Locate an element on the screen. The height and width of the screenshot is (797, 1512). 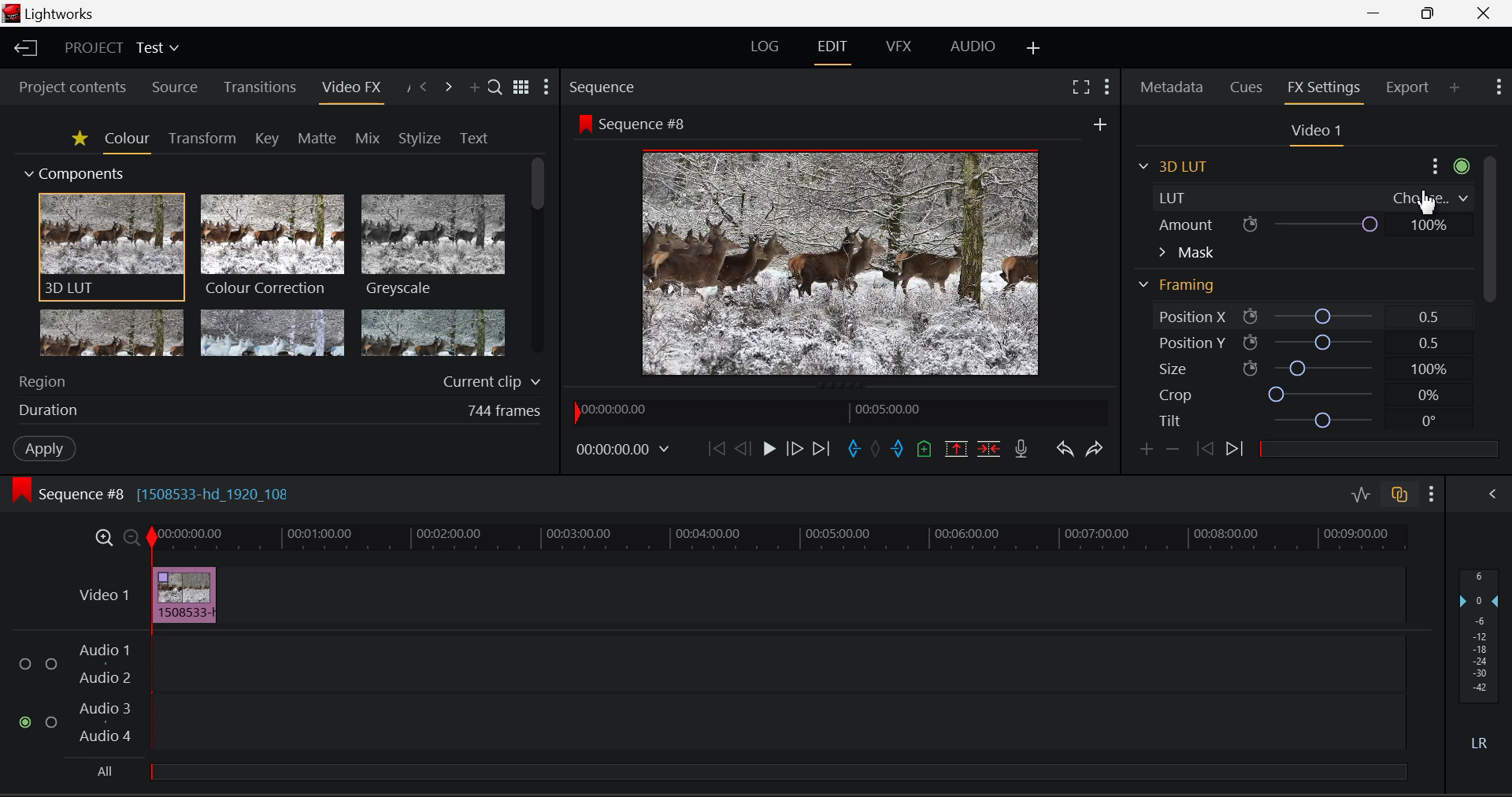
Mosaic is located at coordinates (273, 334).